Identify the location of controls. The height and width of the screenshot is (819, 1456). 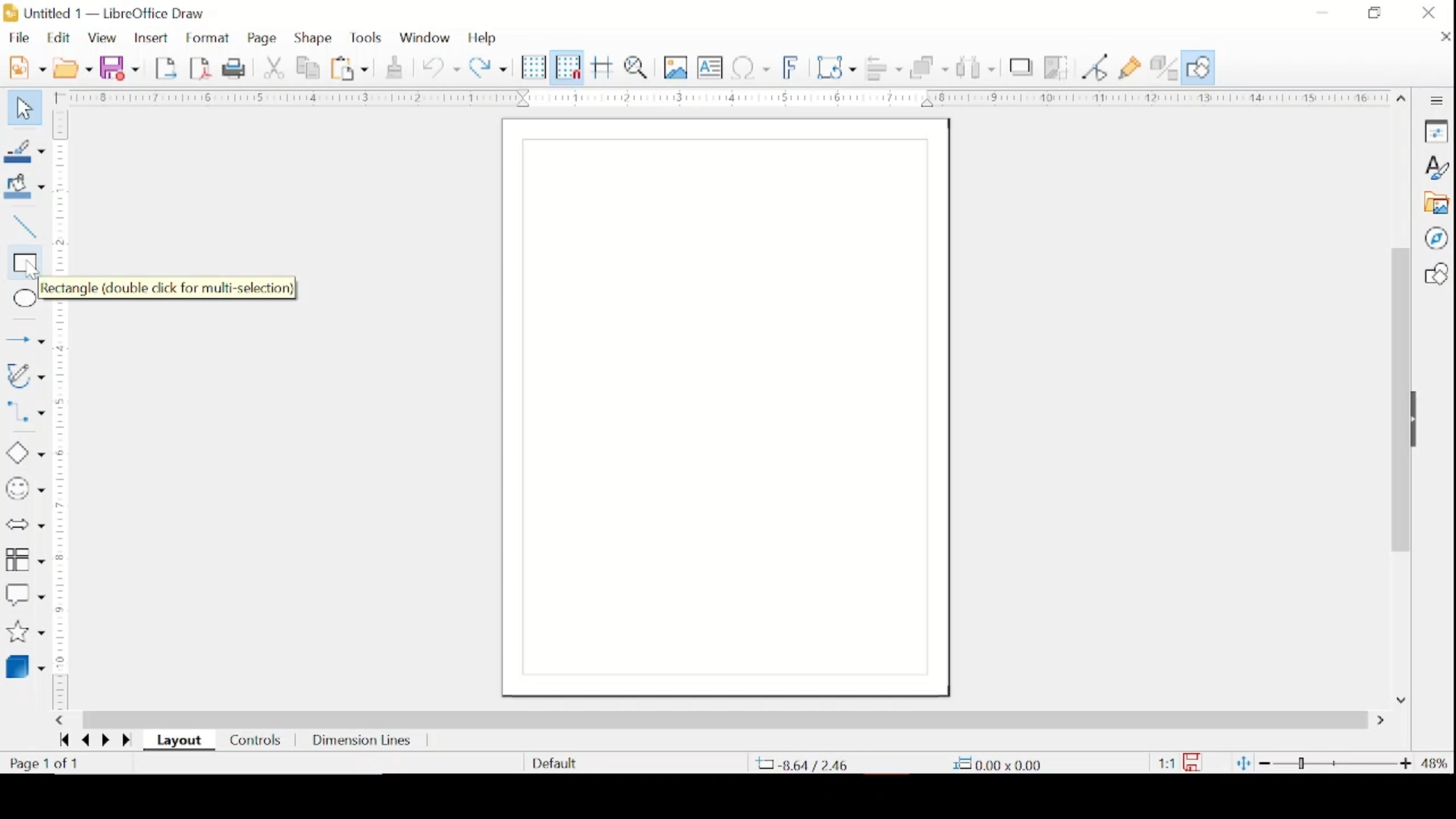
(256, 742).